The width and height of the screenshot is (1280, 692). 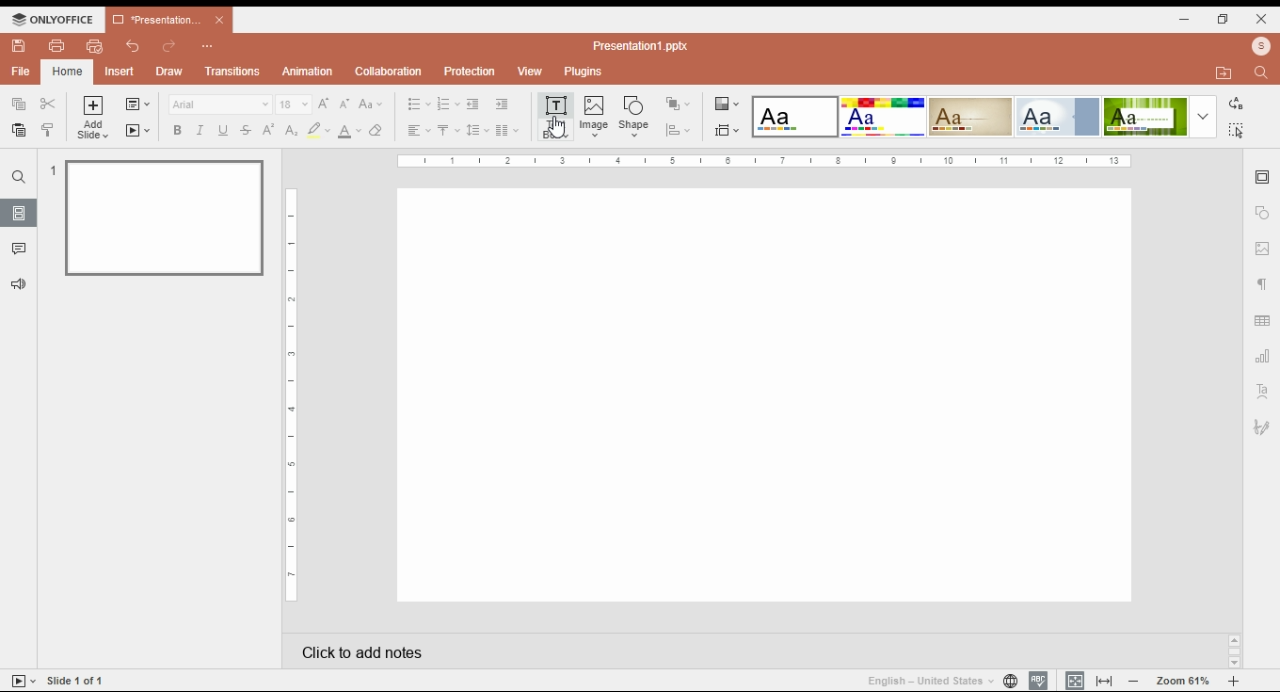 What do you see at coordinates (209, 47) in the screenshot?
I see `customize quick access` at bounding box center [209, 47].